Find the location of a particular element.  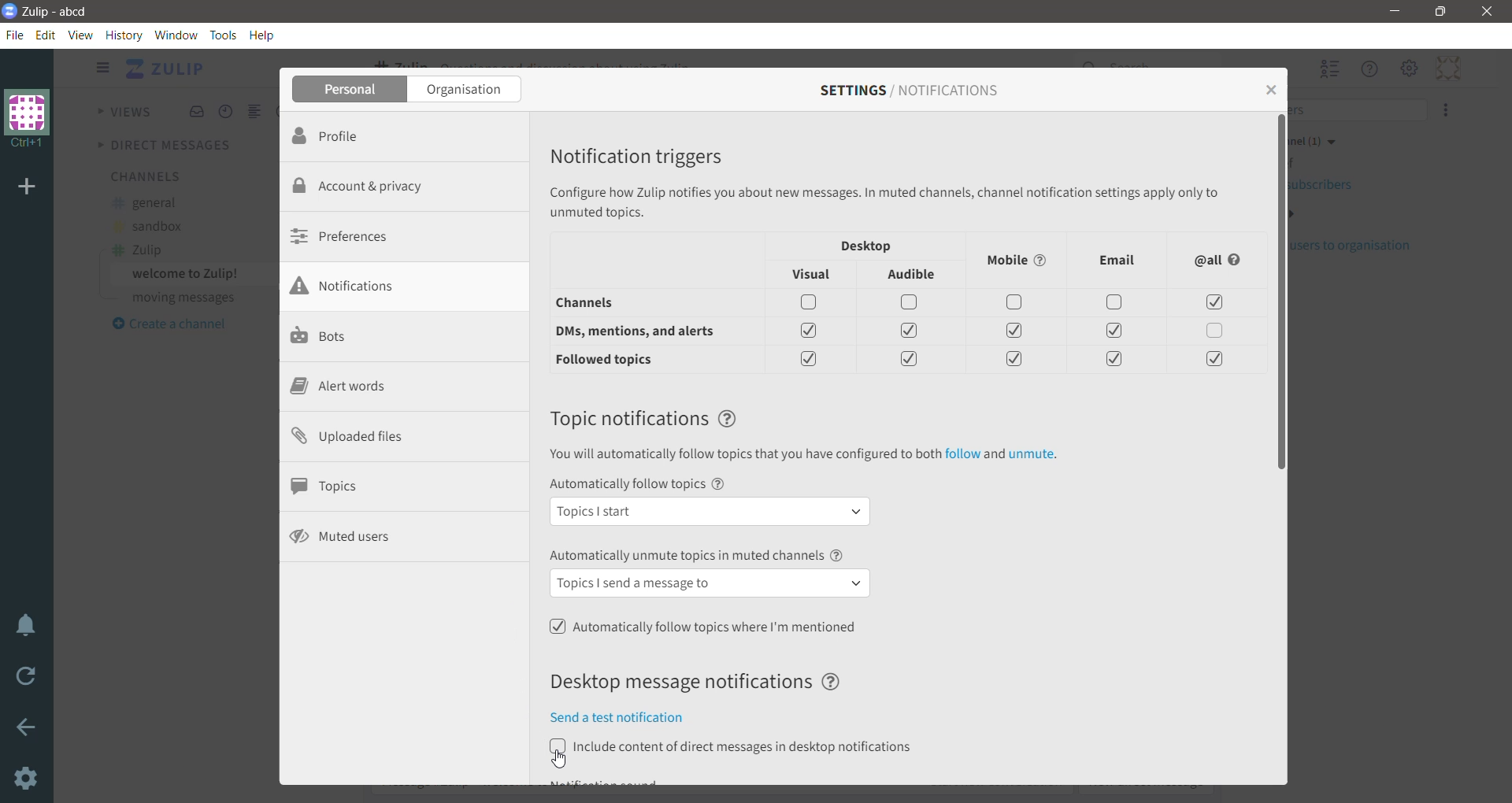

channels is located at coordinates (606, 305).